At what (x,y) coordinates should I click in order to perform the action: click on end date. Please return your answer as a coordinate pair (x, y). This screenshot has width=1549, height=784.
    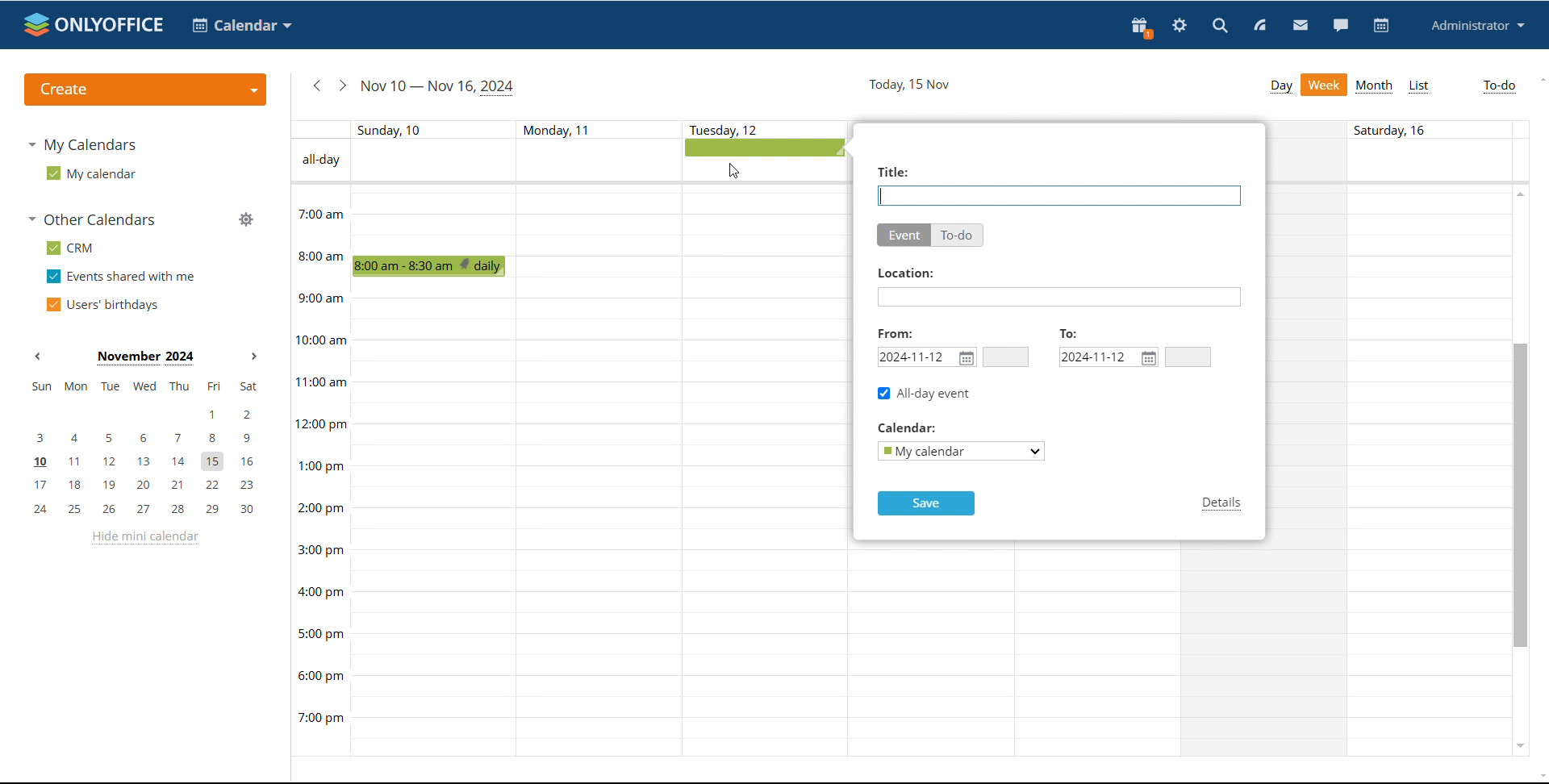
    Looking at the image, I should click on (1108, 358).